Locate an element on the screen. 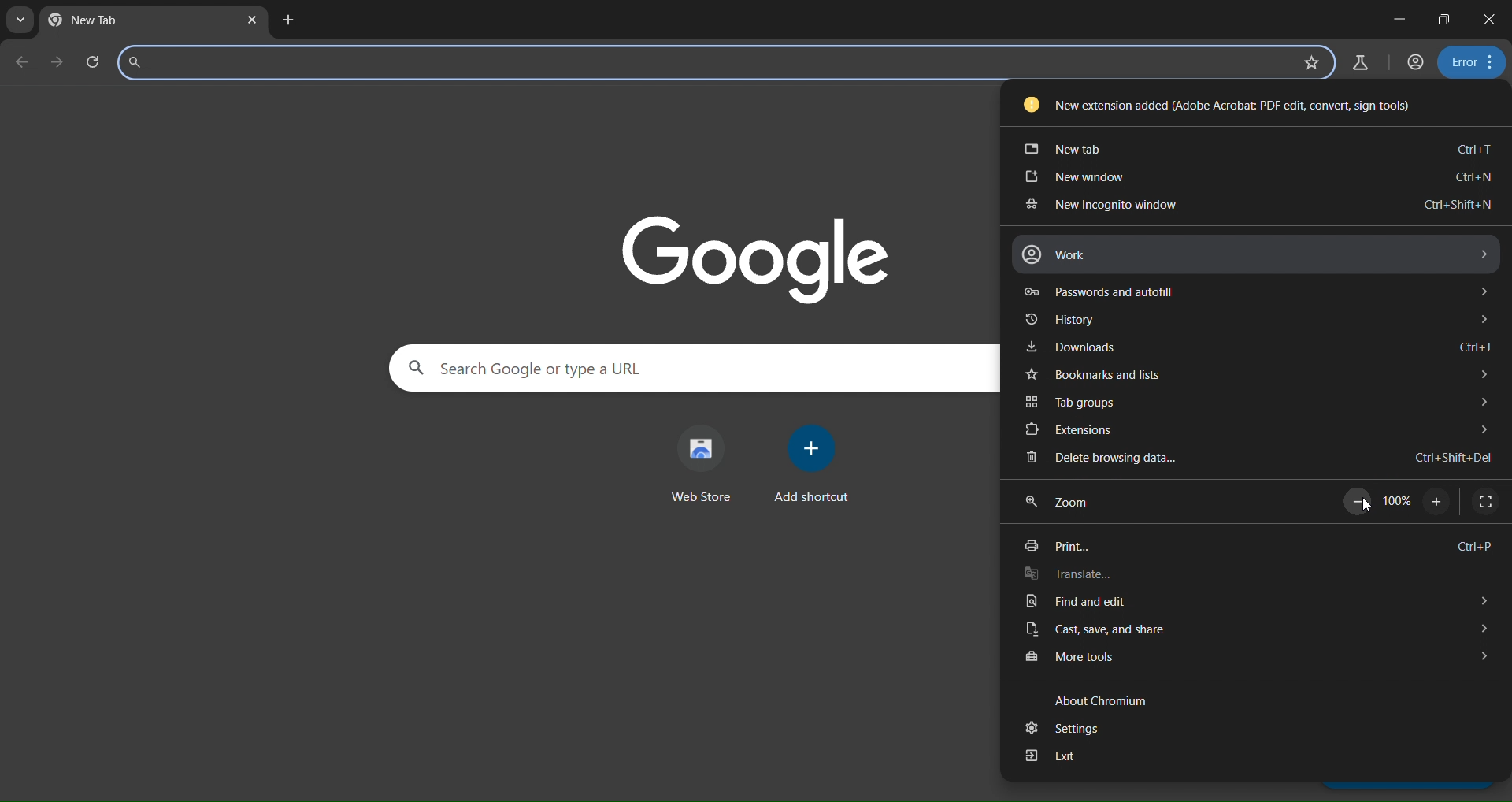 The image size is (1512, 802). current tab is located at coordinates (94, 20).